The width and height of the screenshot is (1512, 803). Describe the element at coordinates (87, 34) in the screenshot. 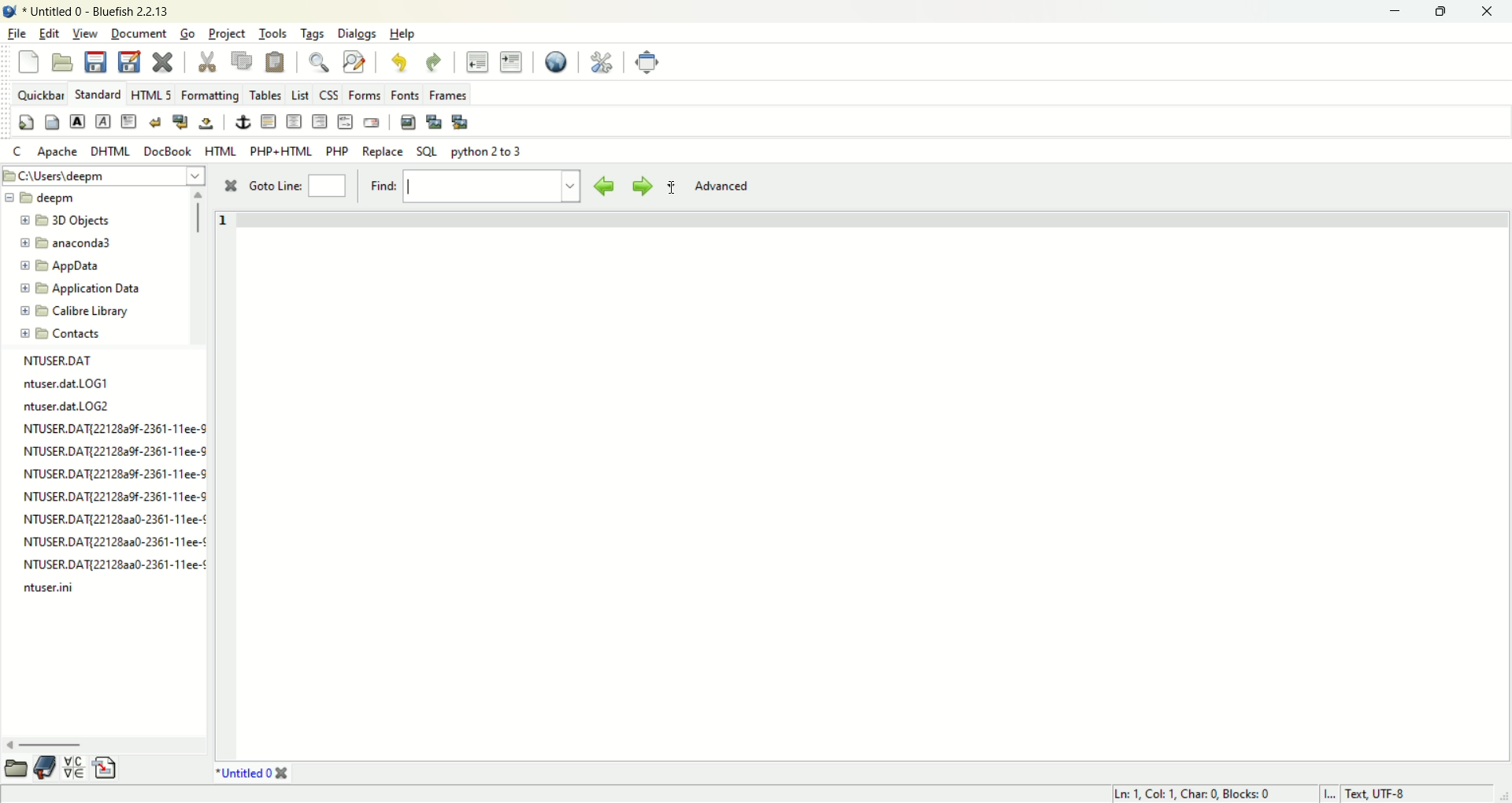

I see `view` at that location.